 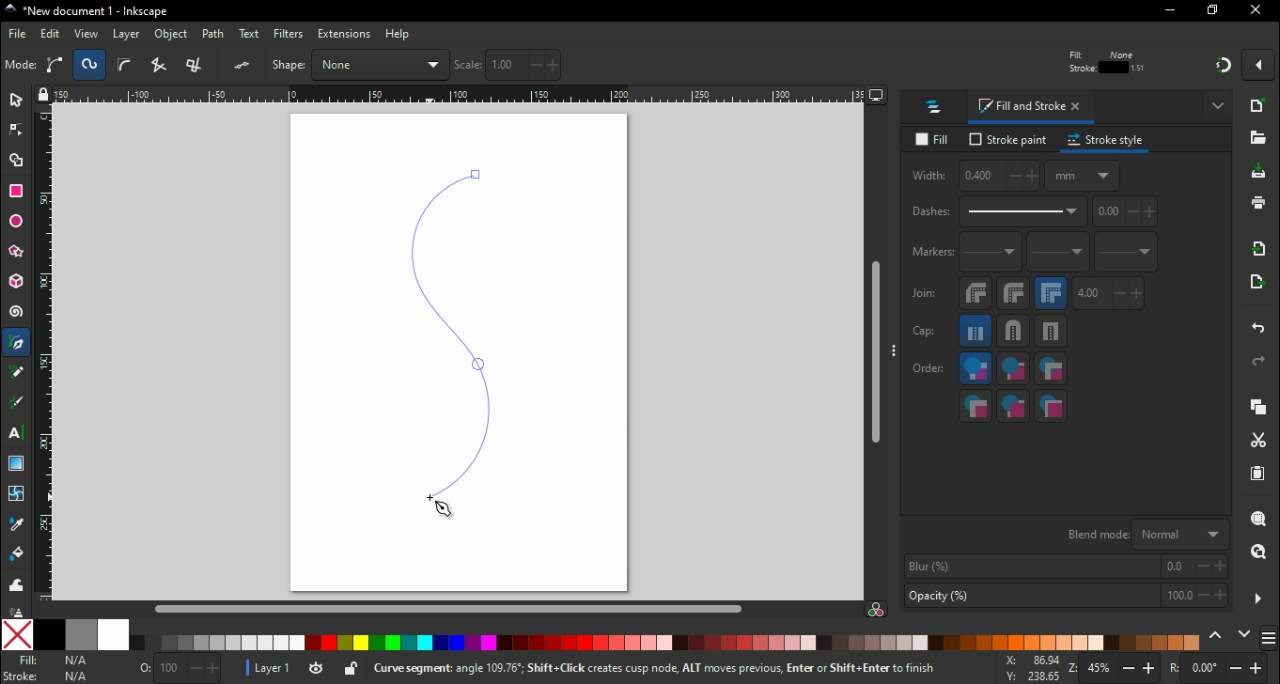 I want to click on pencil tool, so click(x=17, y=379).